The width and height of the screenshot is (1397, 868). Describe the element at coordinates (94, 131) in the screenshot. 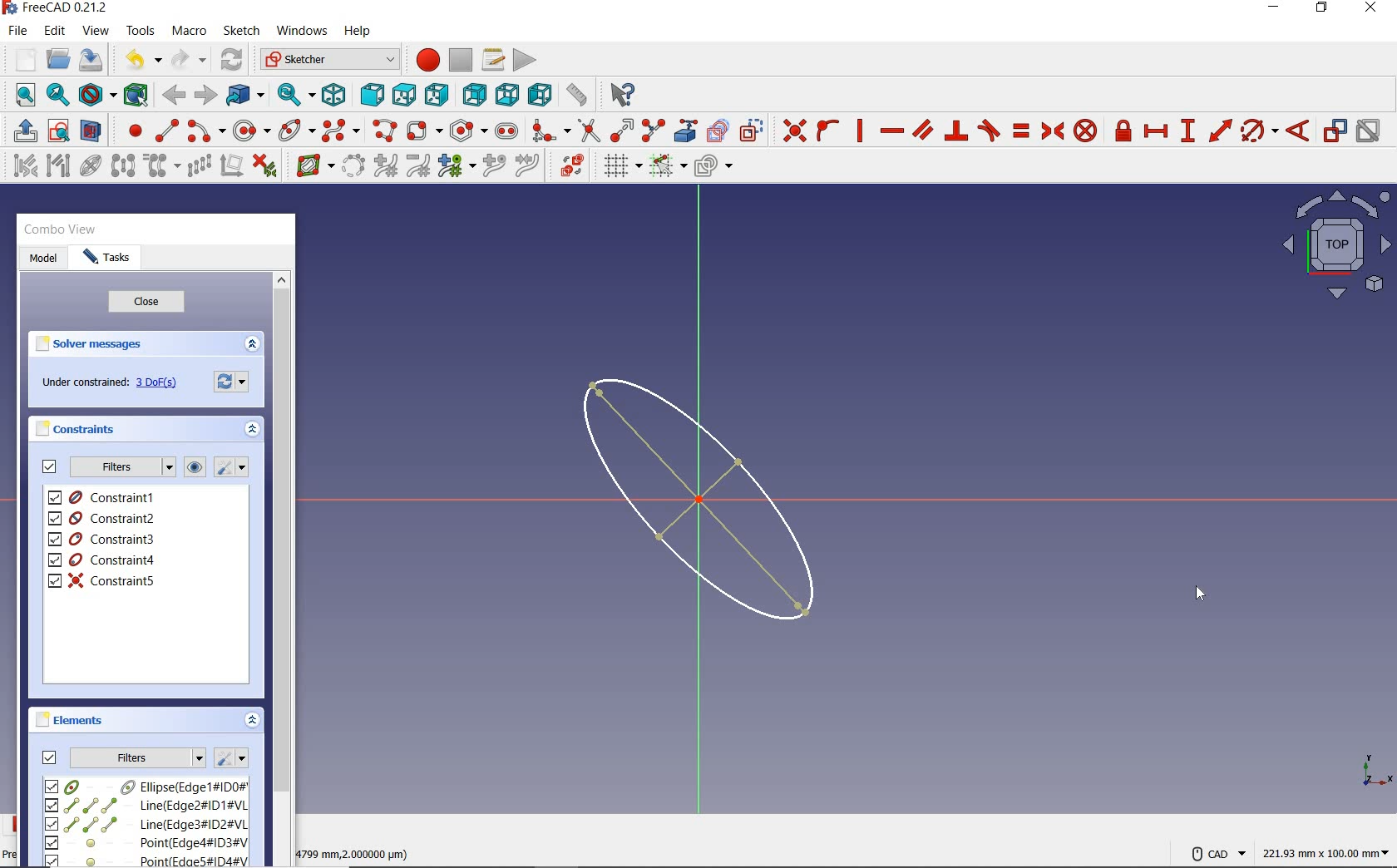

I see `view section` at that location.